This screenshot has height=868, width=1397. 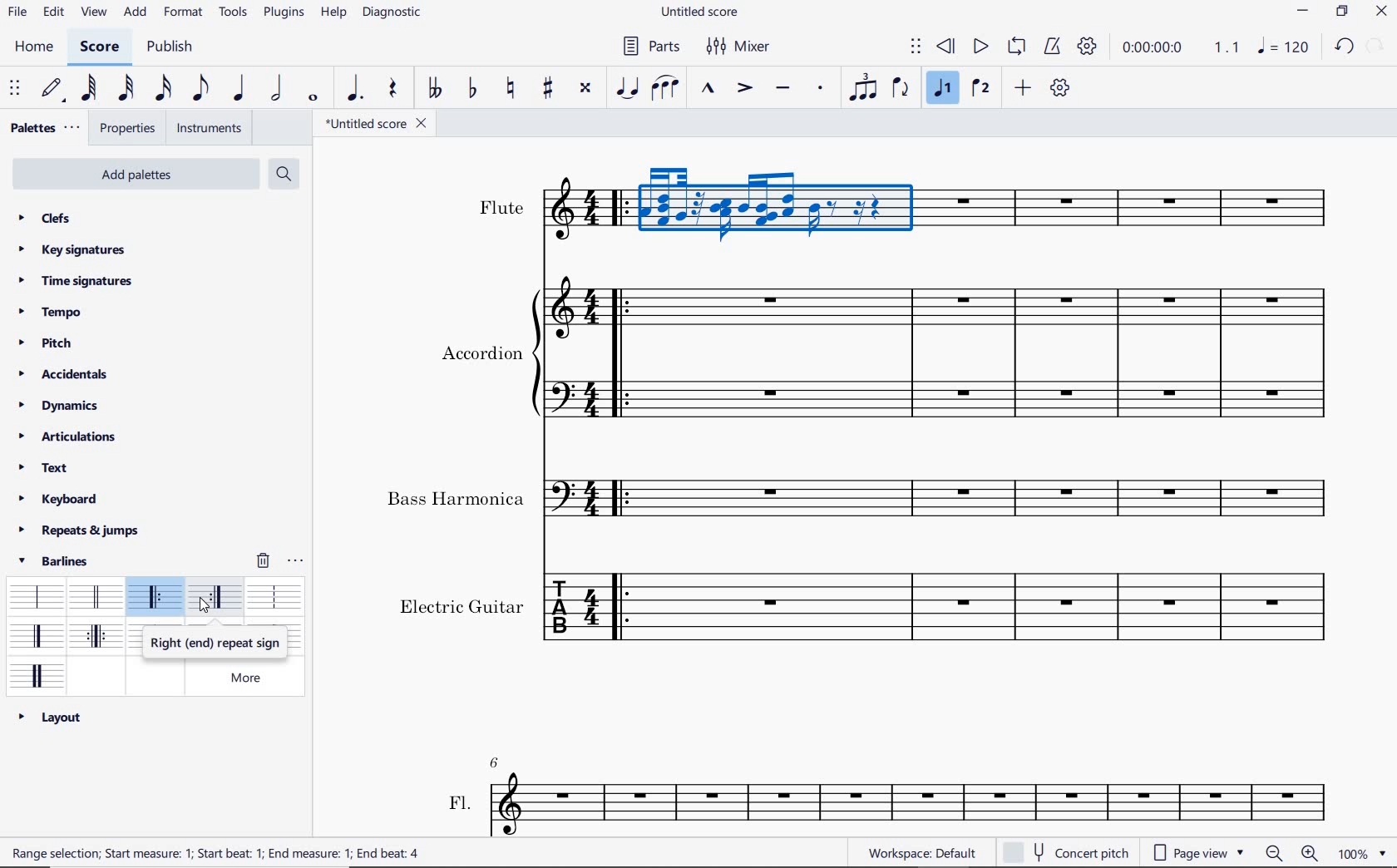 What do you see at coordinates (239, 89) in the screenshot?
I see `quarter note` at bounding box center [239, 89].